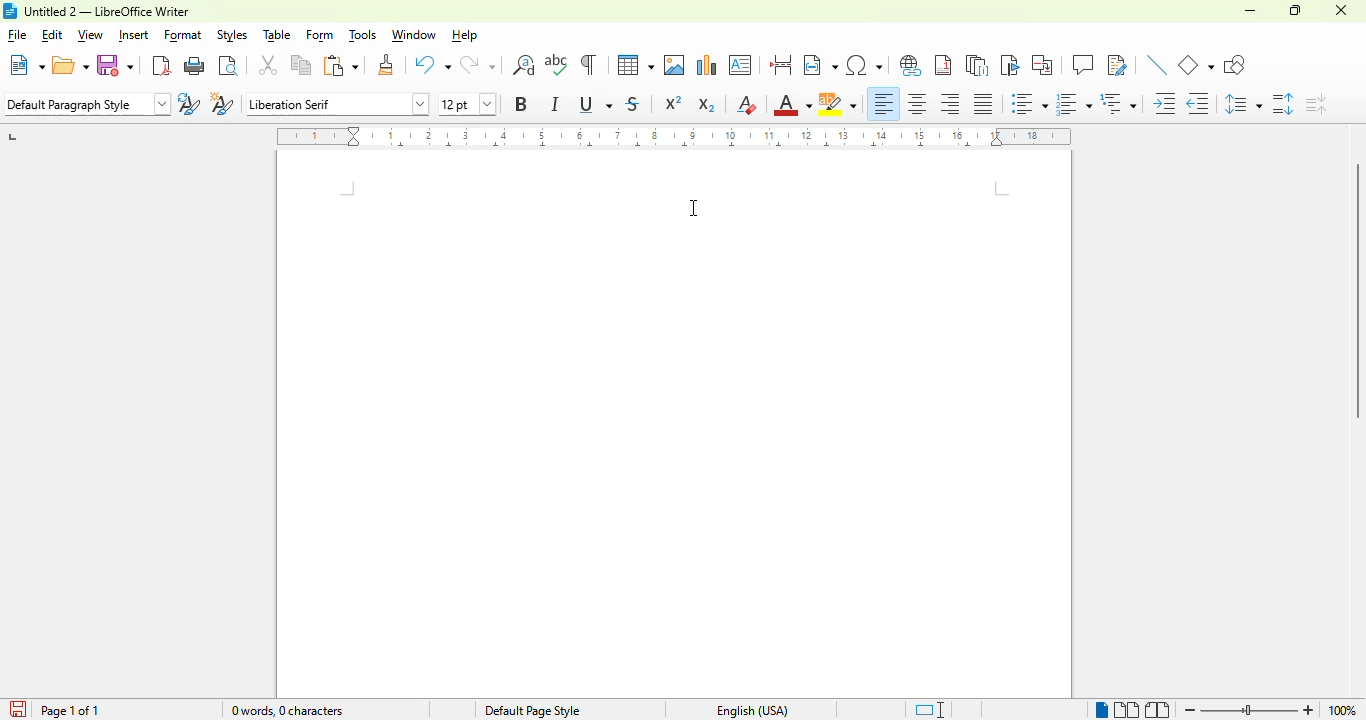 This screenshot has width=1366, height=720. I want to click on open, so click(70, 65).